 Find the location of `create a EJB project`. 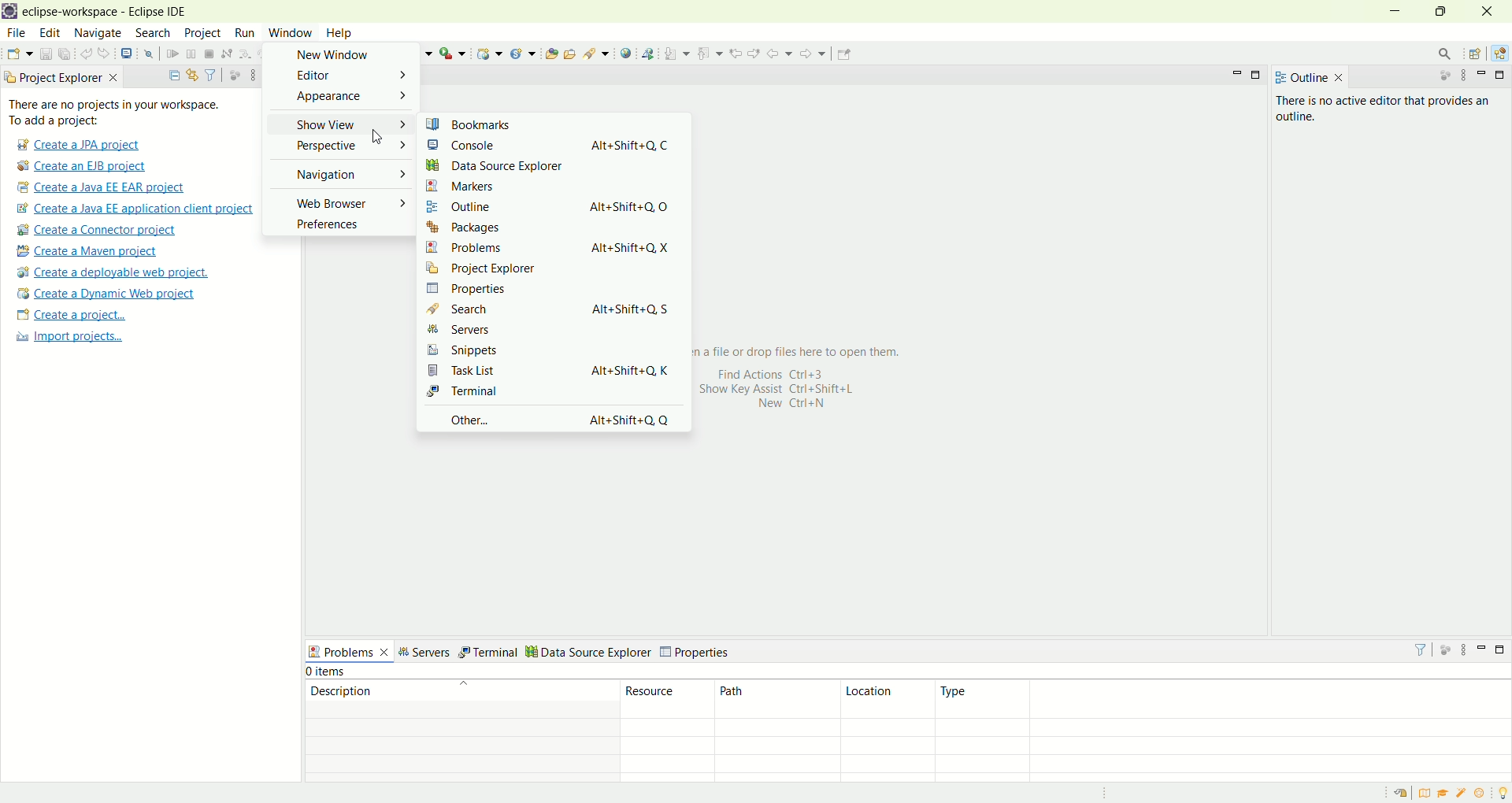

create a EJB project is located at coordinates (85, 166).